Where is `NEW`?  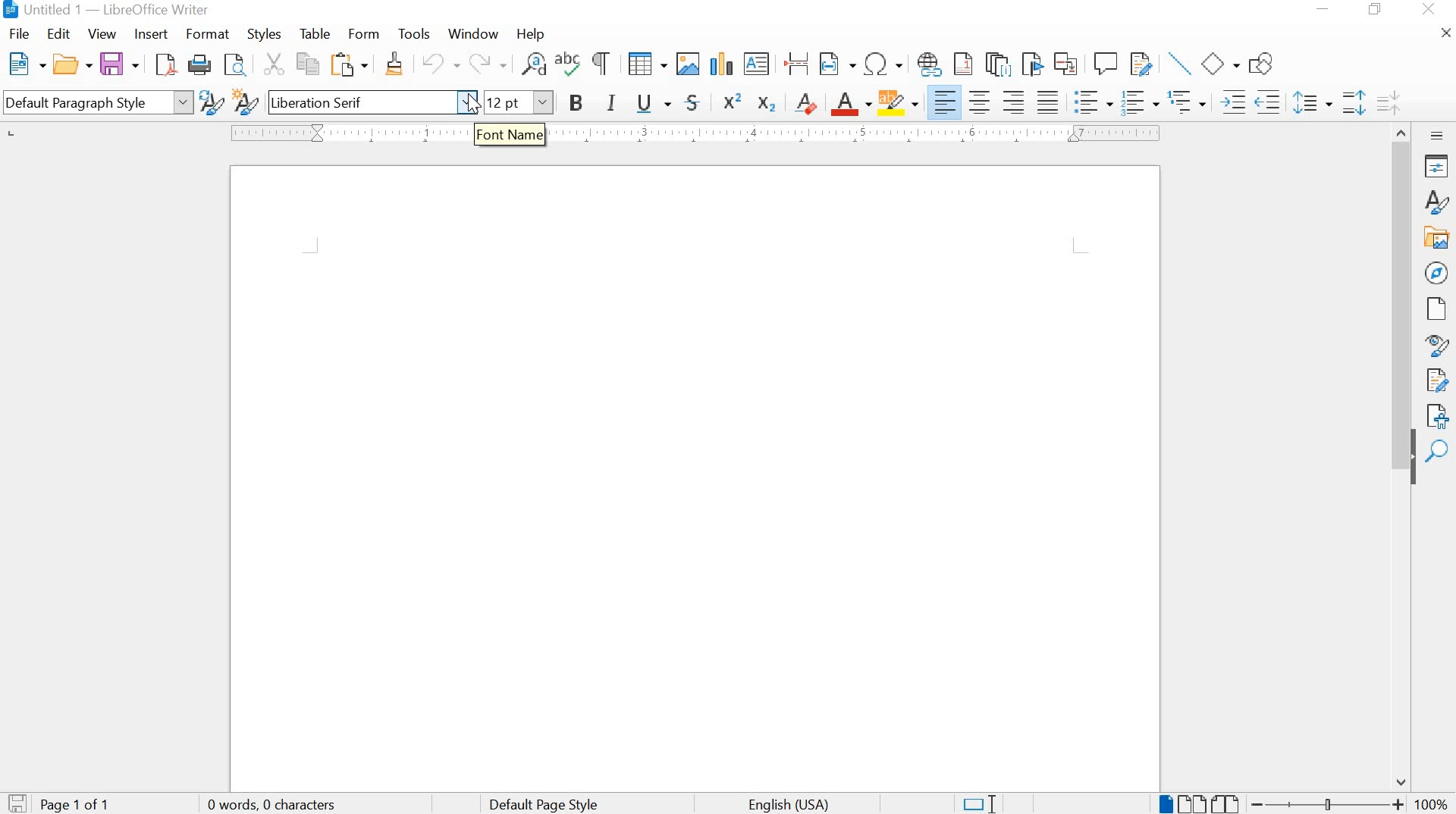 NEW is located at coordinates (24, 63).